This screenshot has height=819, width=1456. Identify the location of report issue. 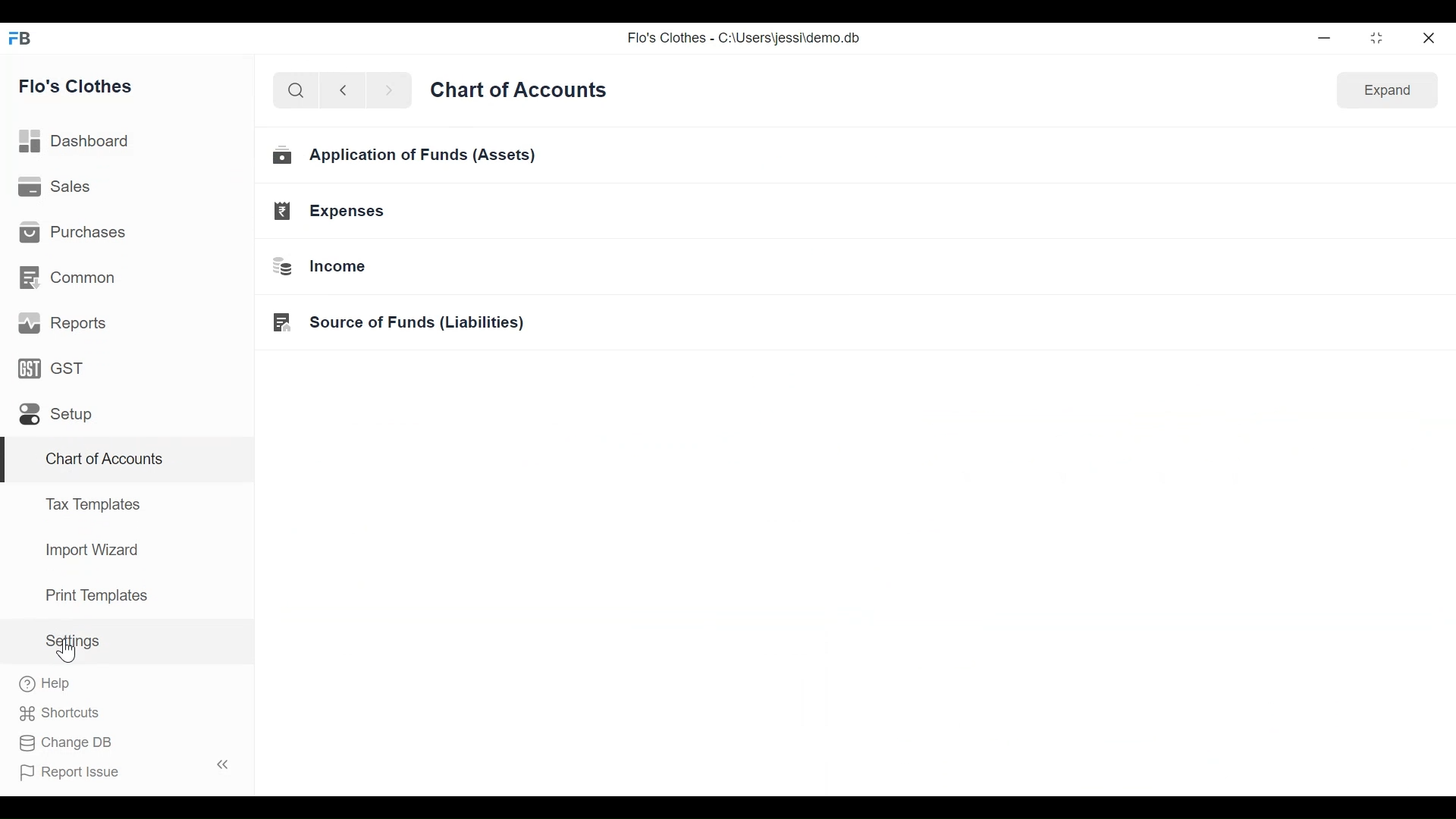
(70, 773).